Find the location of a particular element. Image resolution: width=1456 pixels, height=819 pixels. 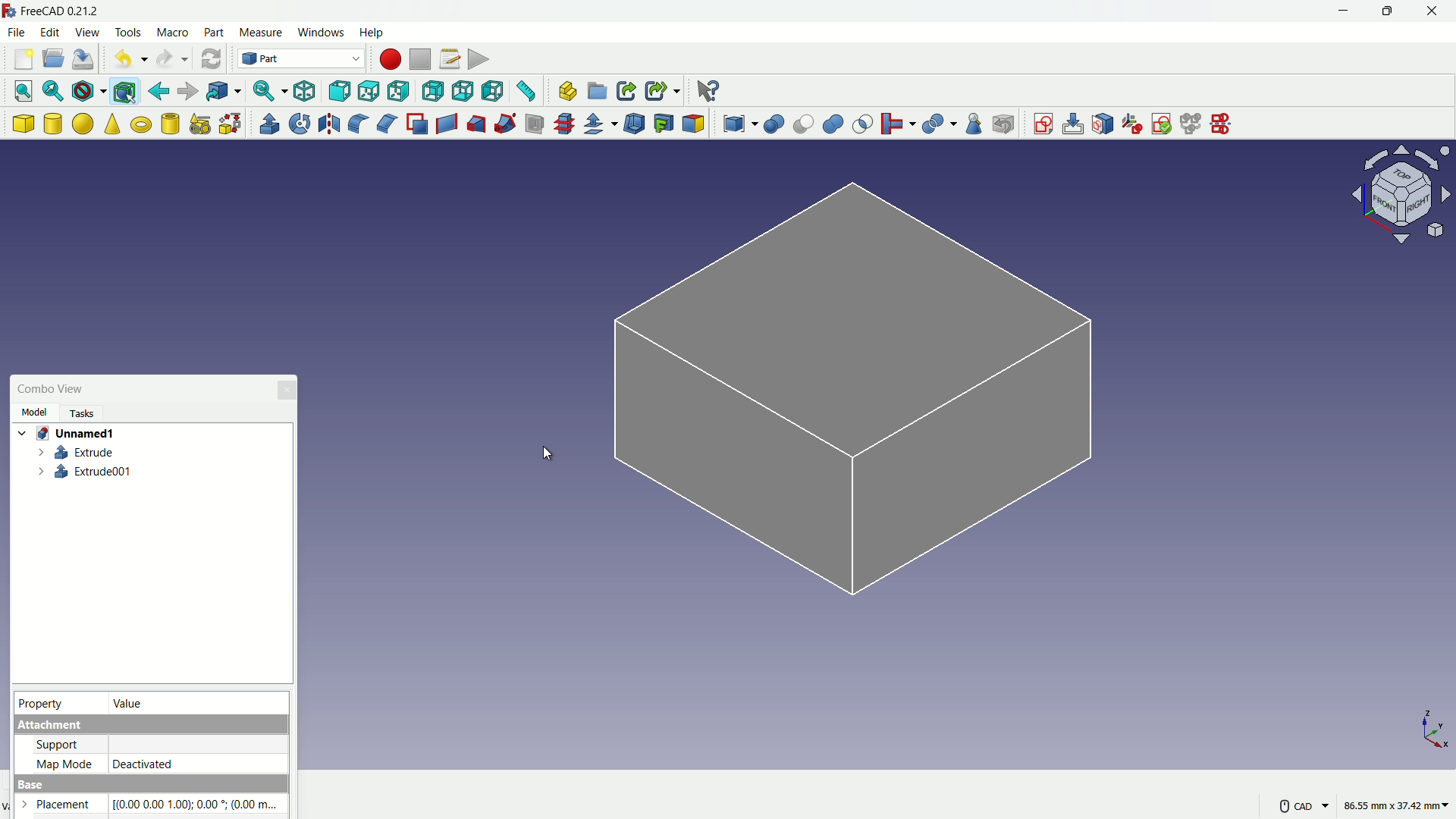

sphere is located at coordinates (83, 123).